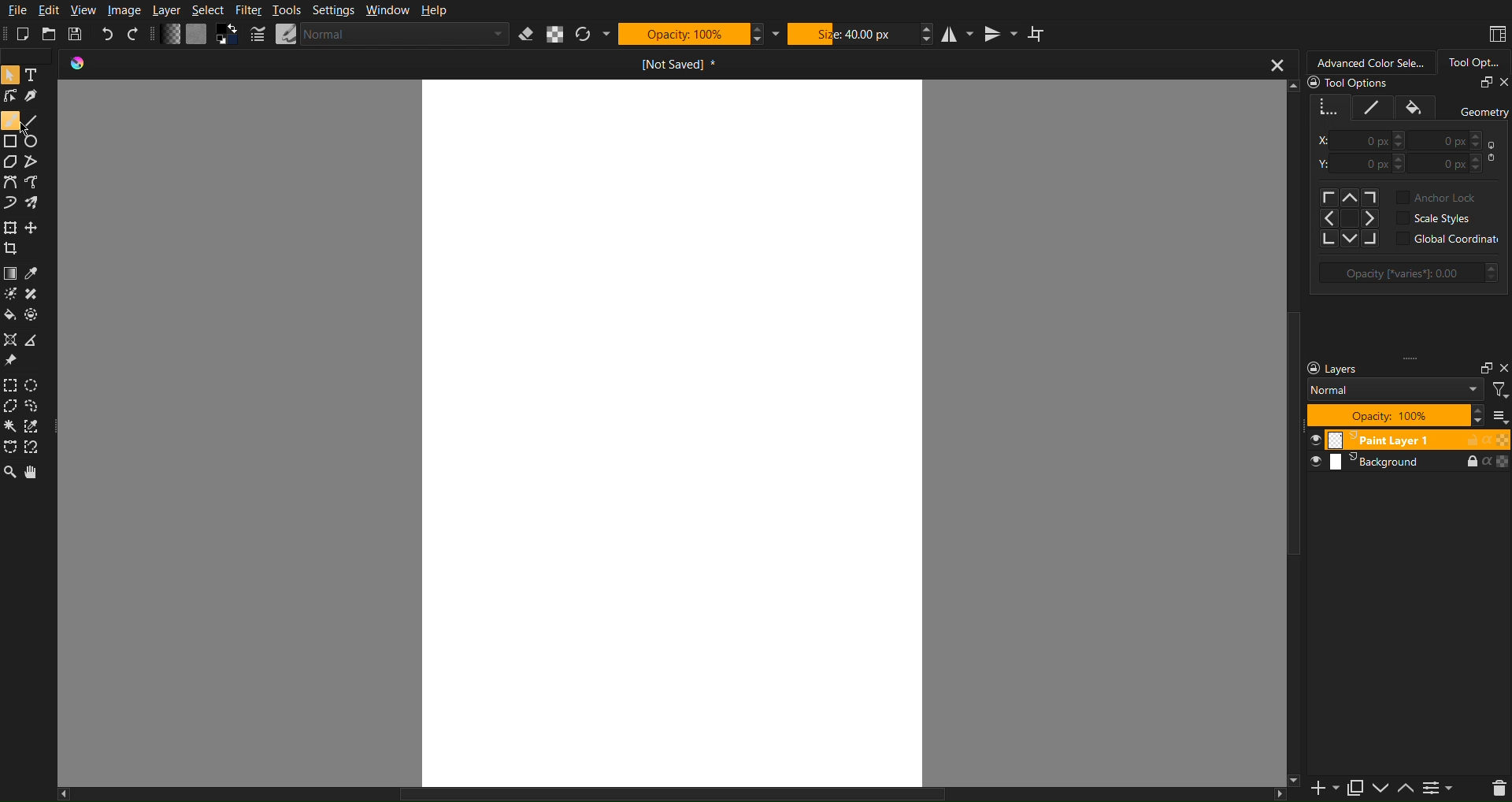 This screenshot has width=1512, height=802. I want to click on Workspace, so click(1496, 34).